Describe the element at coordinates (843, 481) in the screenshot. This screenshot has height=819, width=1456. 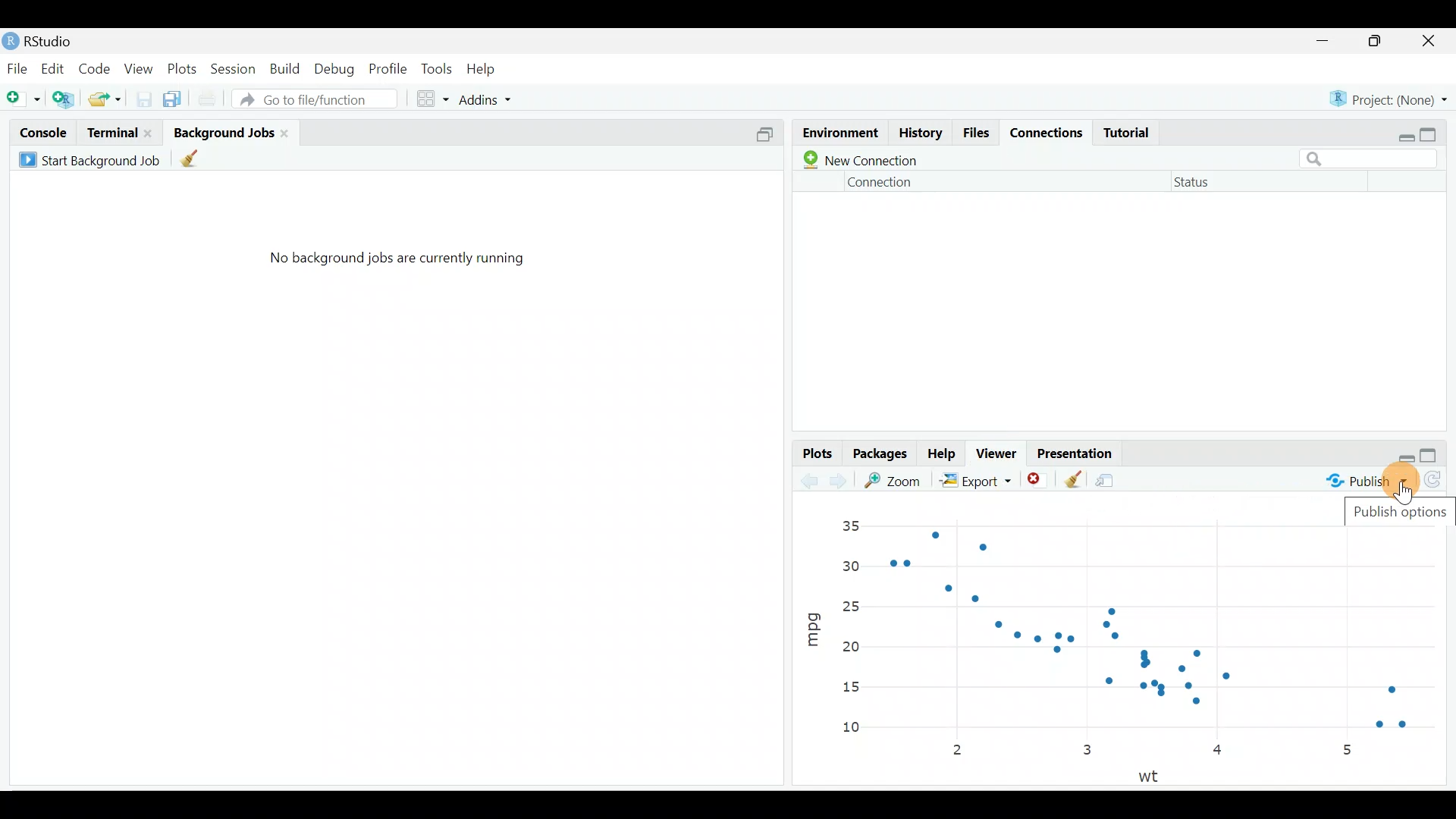
I see `Go forward` at that location.